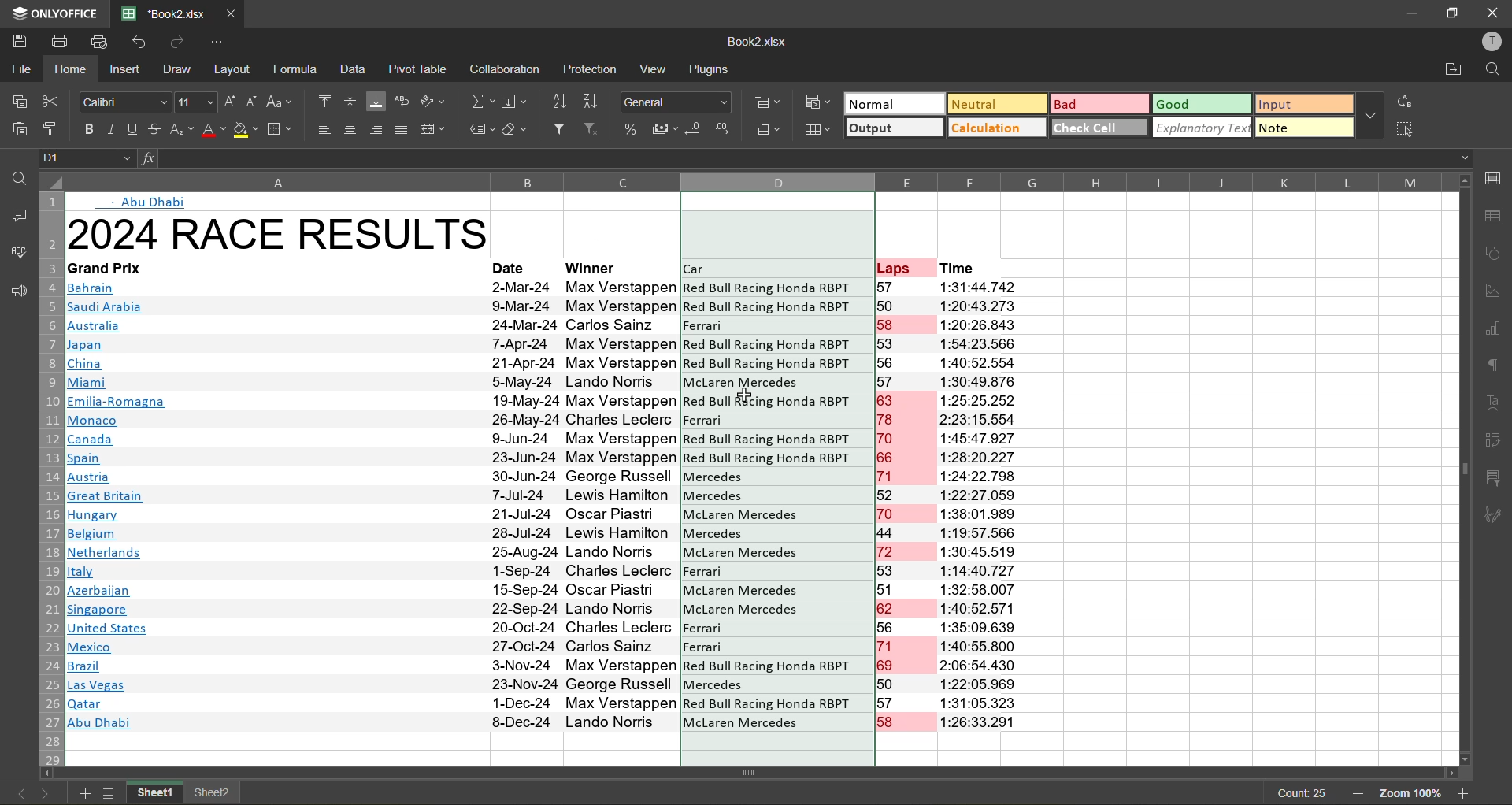 This screenshot has height=805, width=1512. What do you see at coordinates (543, 647) in the screenshot?
I see `A Mexico 27-Oct-24 Carlos Sainz Ferrari 71 1:40:55.800` at bounding box center [543, 647].